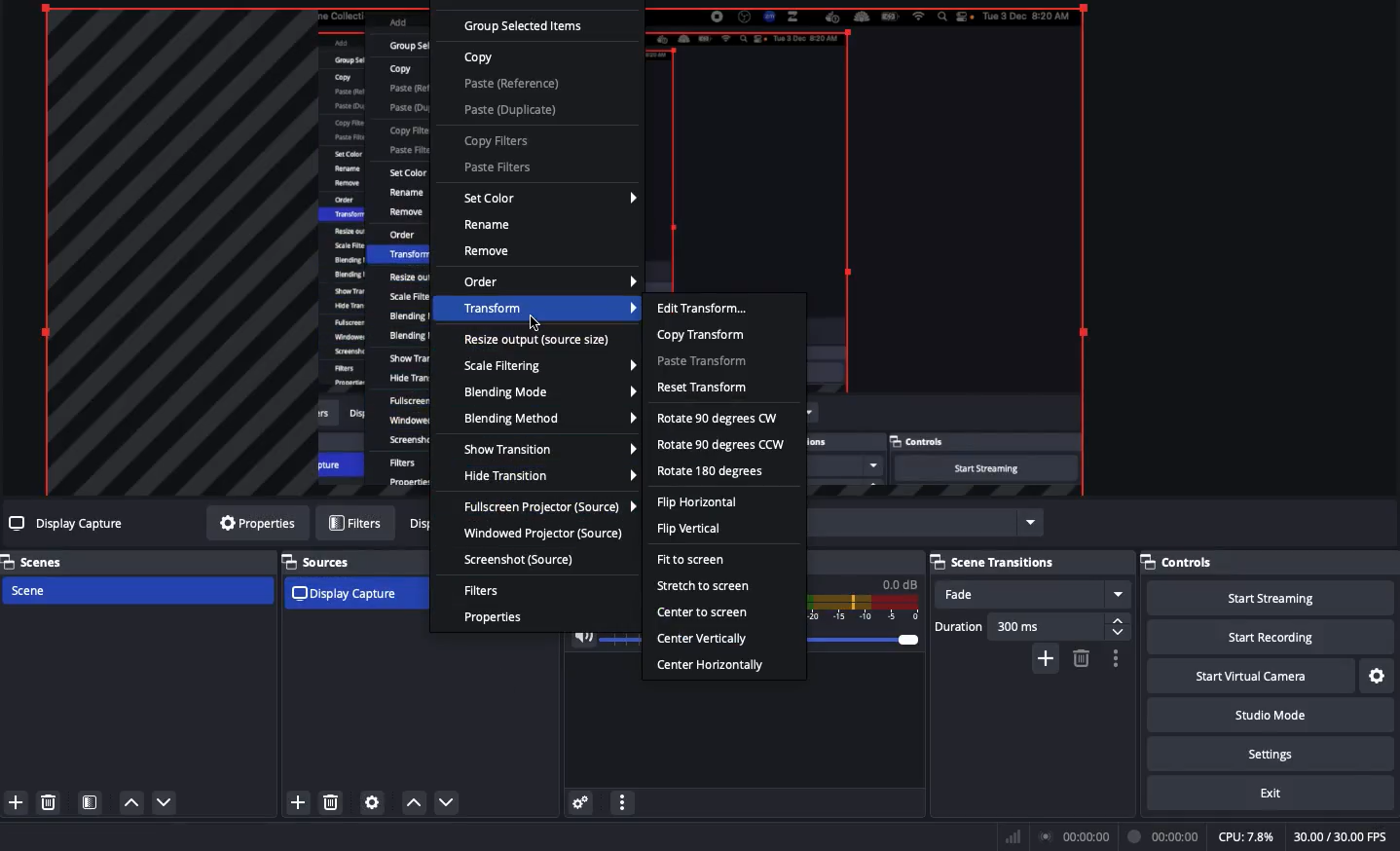 The height and width of the screenshot is (851, 1400). I want to click on options, so click(1120, 659).